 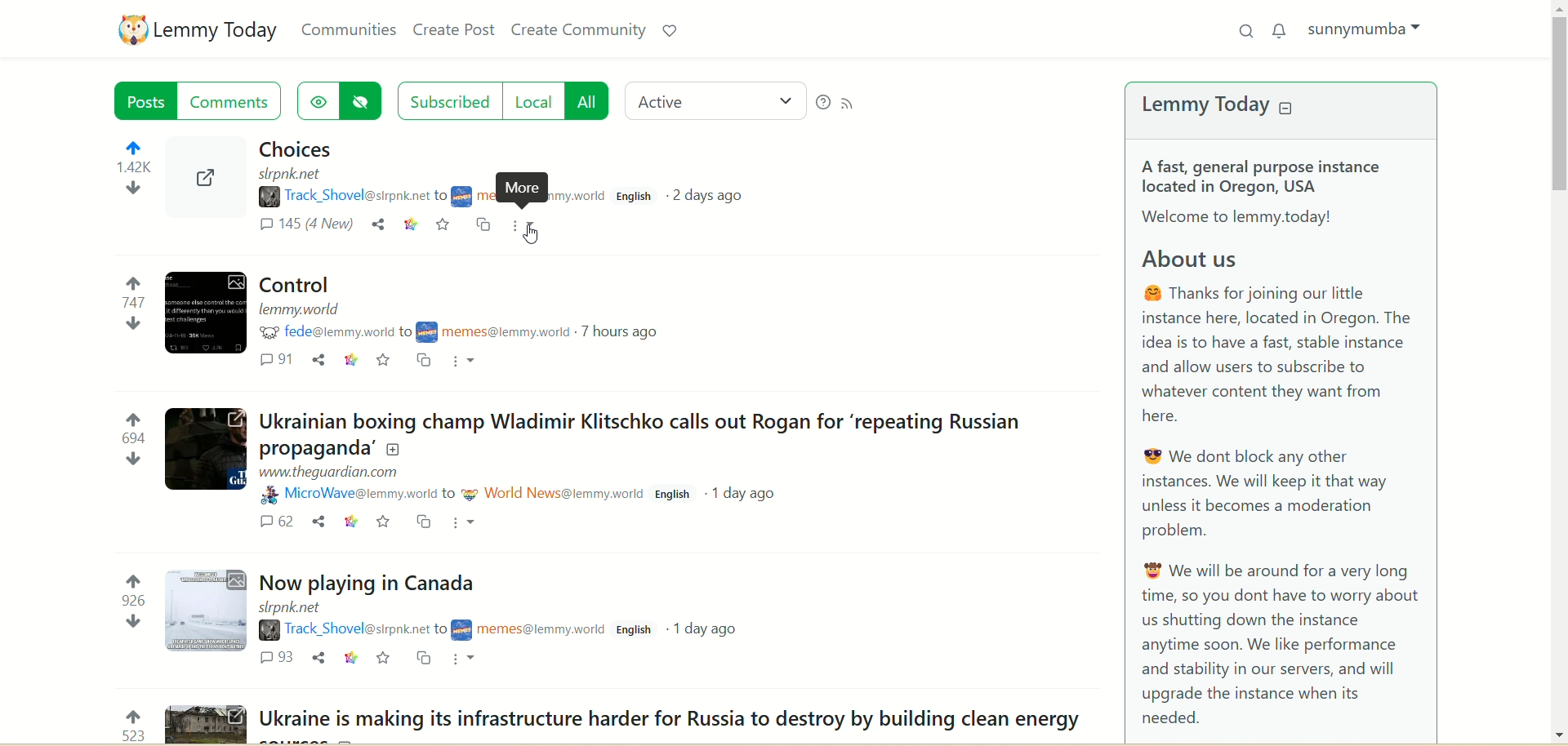 I want to click on comments, so click(x=274, y=522).